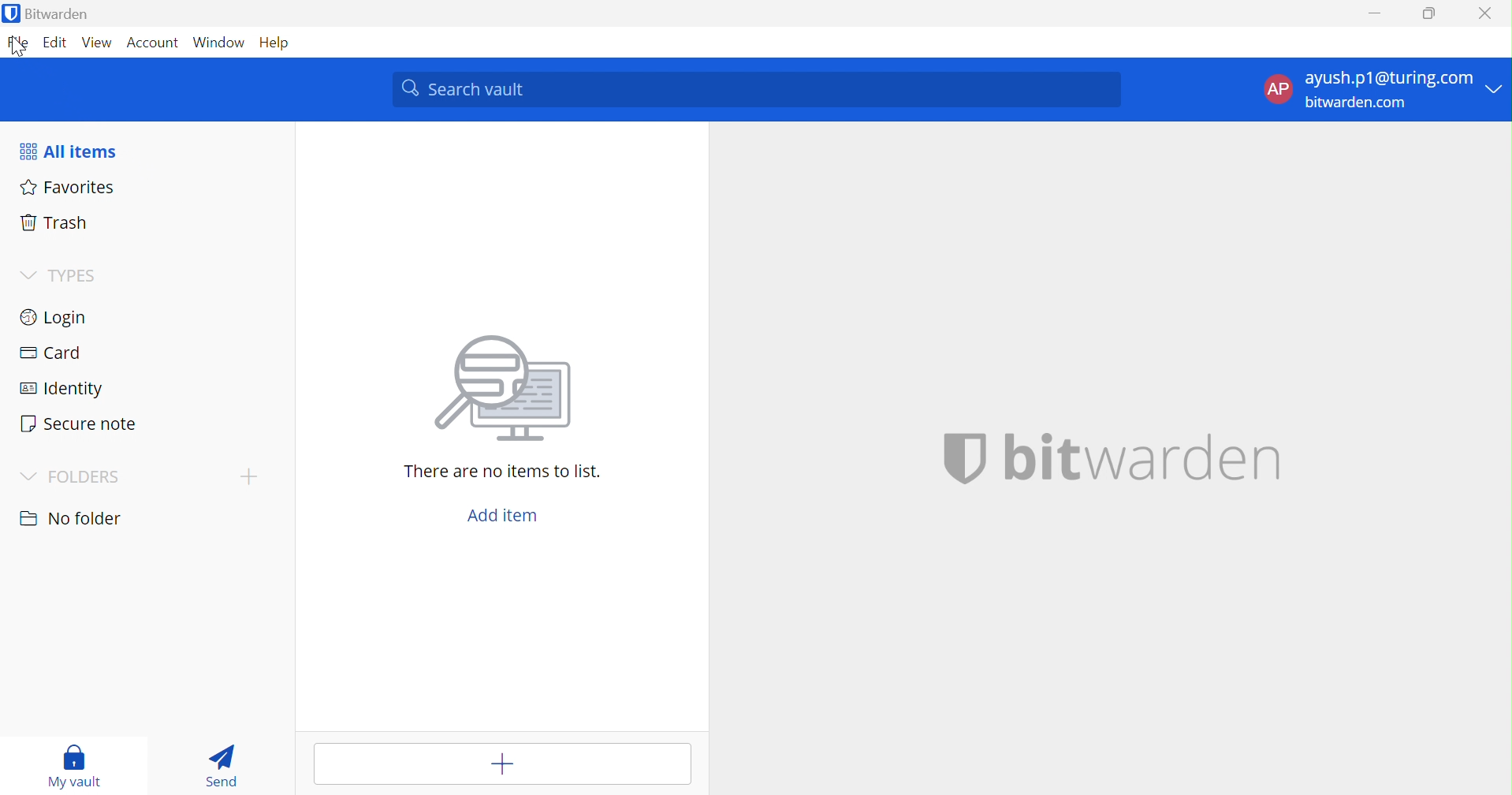  I want to click on Account settings , so click(1382, 88).